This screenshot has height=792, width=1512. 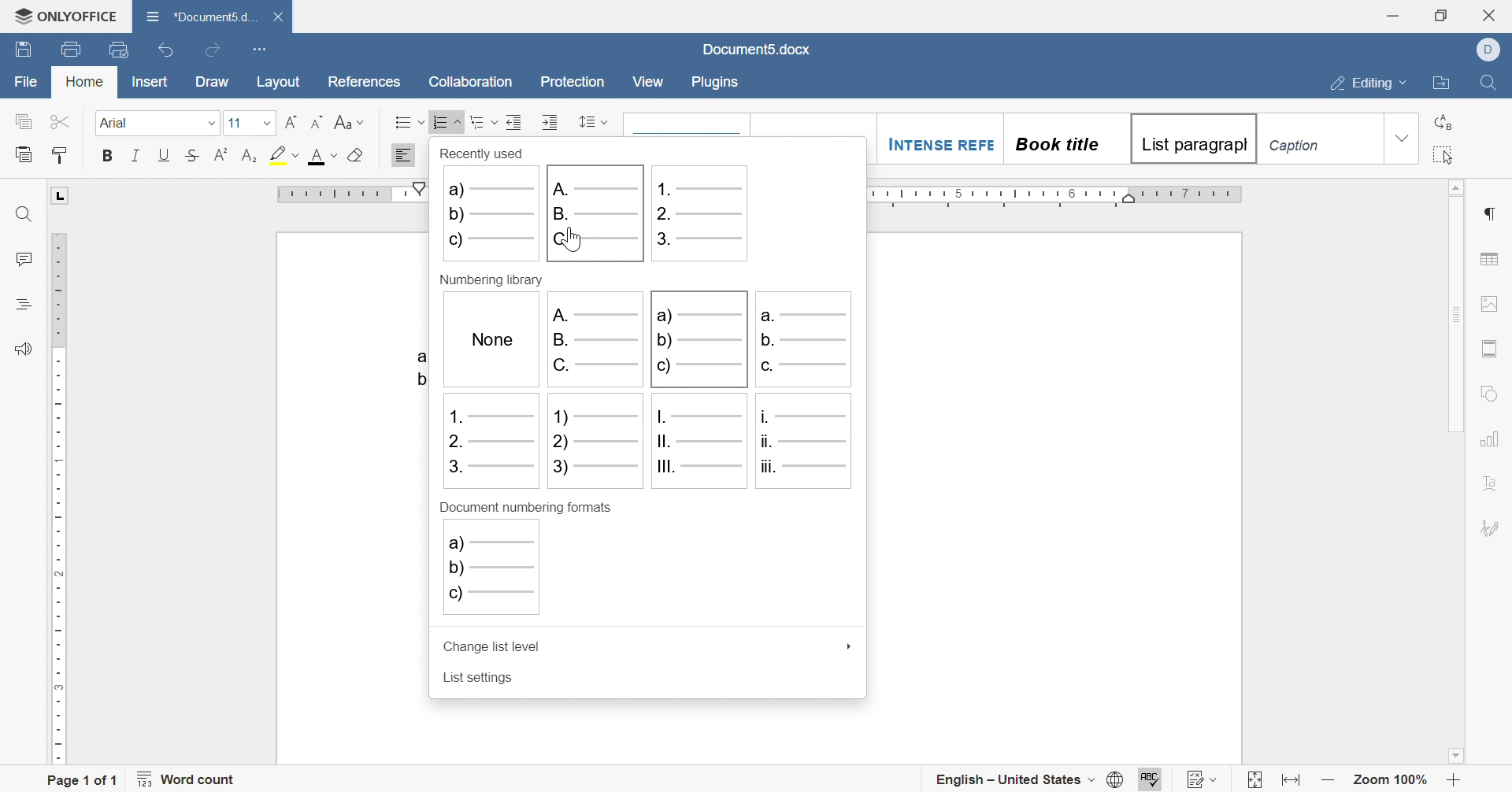 I want to click on copy style, so click(x=61, y=154).